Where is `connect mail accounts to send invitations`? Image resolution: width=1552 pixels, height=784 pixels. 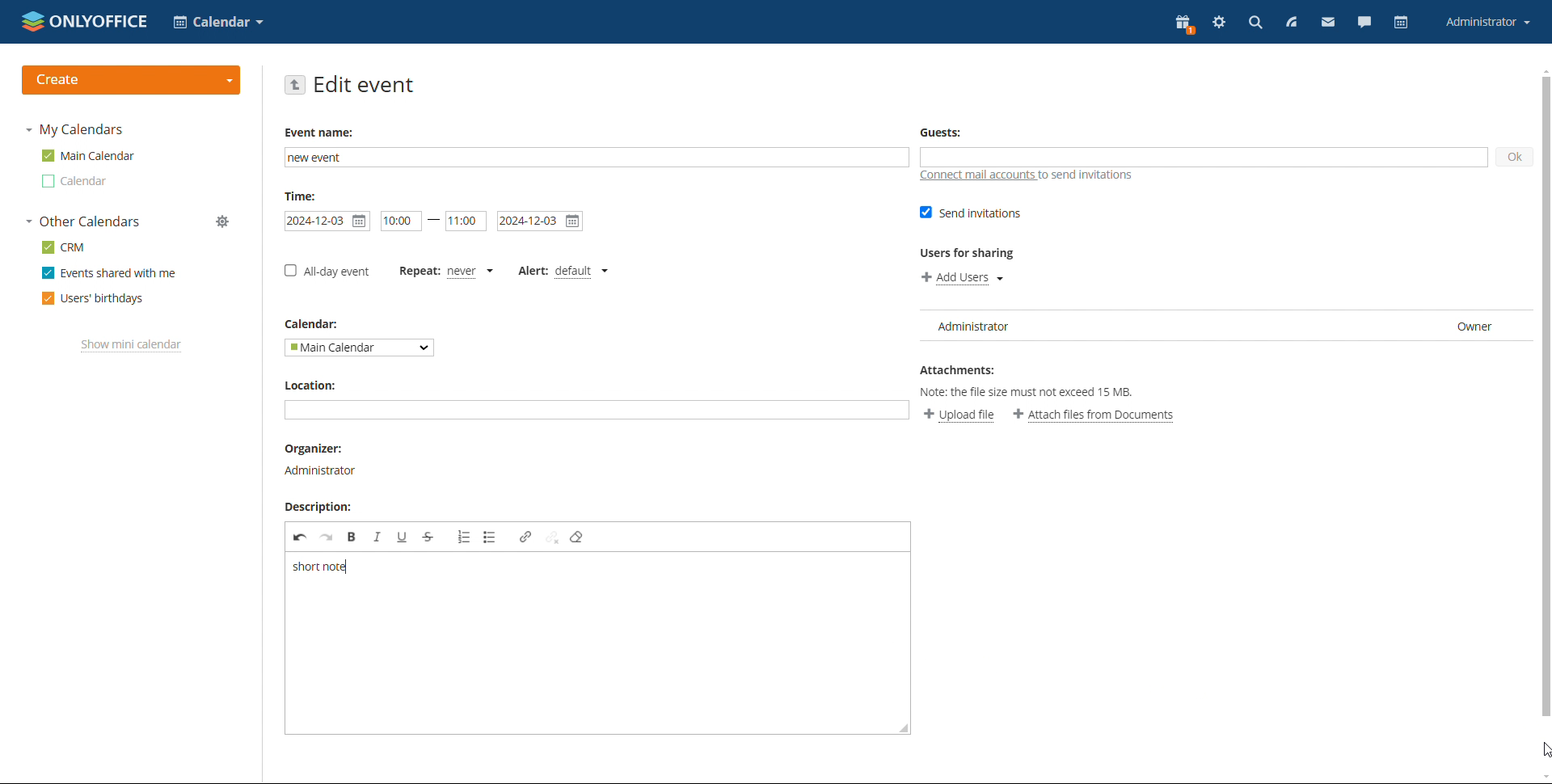
connect mail accounts to send invitations is located at coordinates (1028, 176).